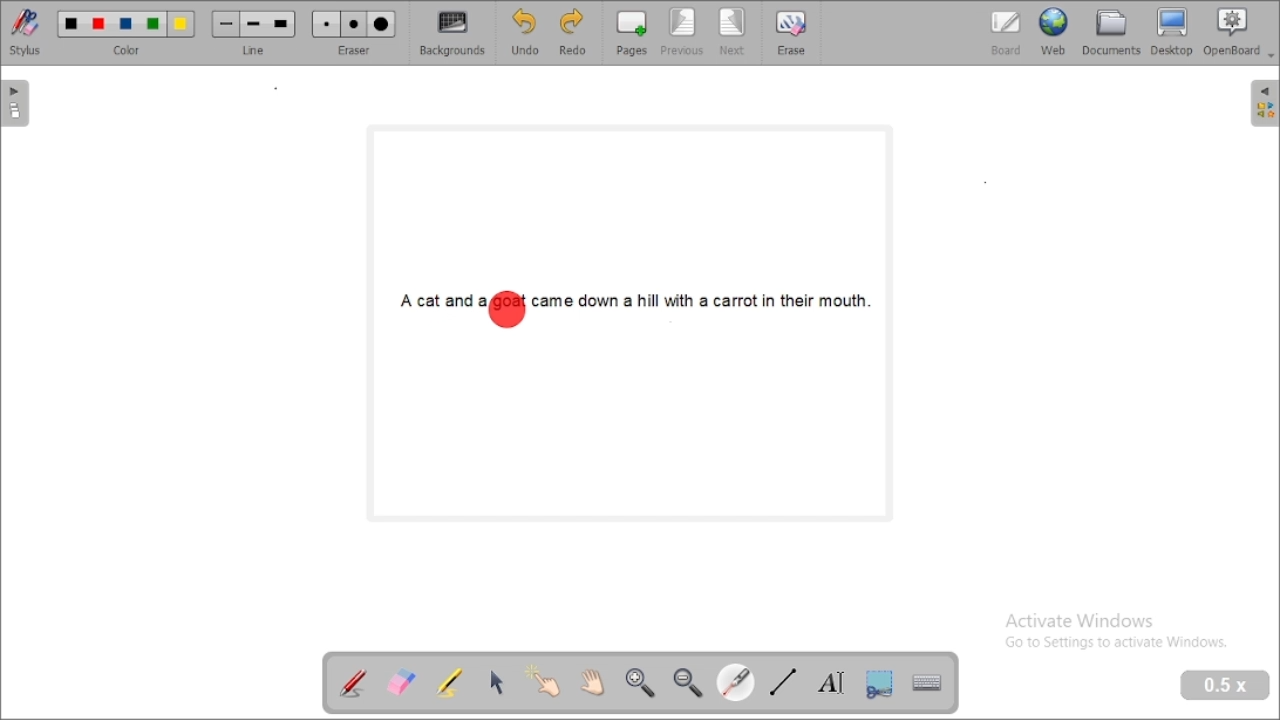 The height and width of the screenshot is (720, 1280). What do you see at coordinates (1263, 104) in the screenshot?
I see `sidebar settings` at bounding box center [1263, 104].